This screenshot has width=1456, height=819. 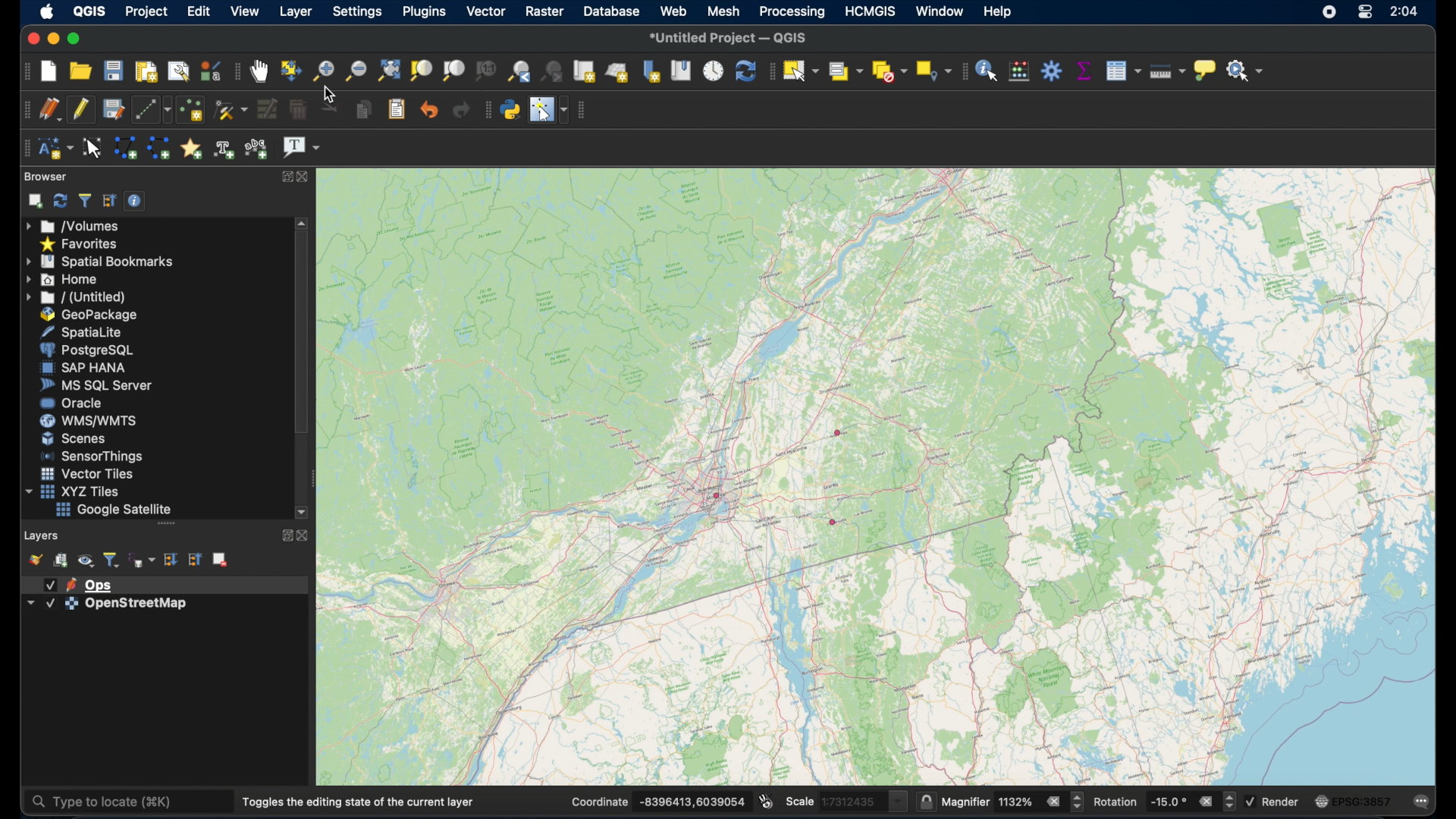 What do you see at coordinates (306, 177) in the screenshot?
I see `close browser` at bounding box center [306, 177].